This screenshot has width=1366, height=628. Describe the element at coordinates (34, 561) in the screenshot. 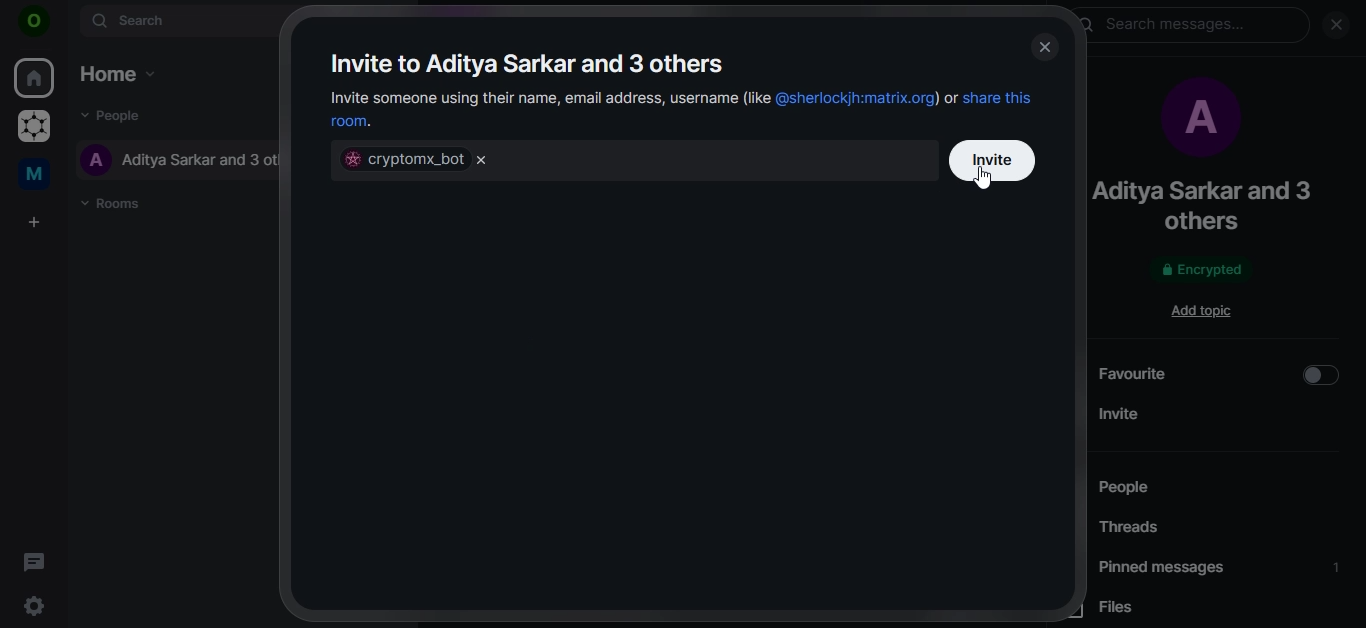

I see `threads` at that location.